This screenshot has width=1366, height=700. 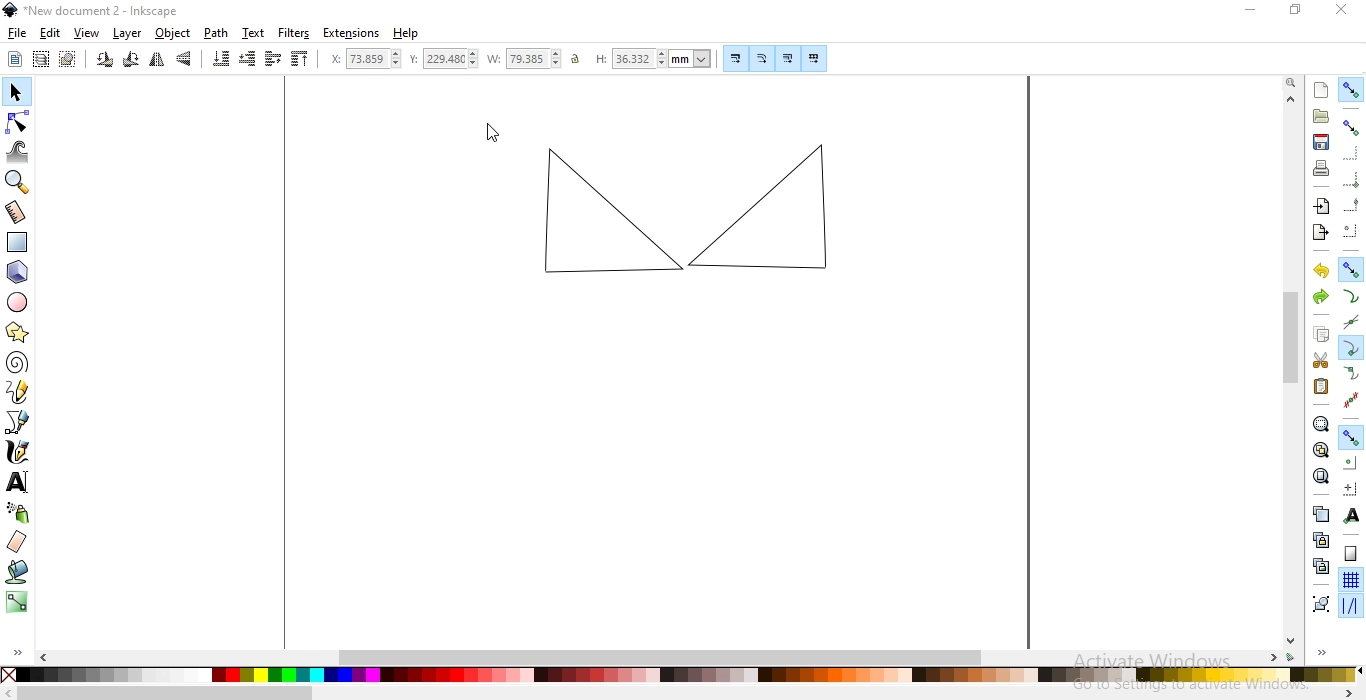 What do you see at coordinates (1350, 437) in the screenshot?
I see `snap other points ` at bounding box center [1350, 437].